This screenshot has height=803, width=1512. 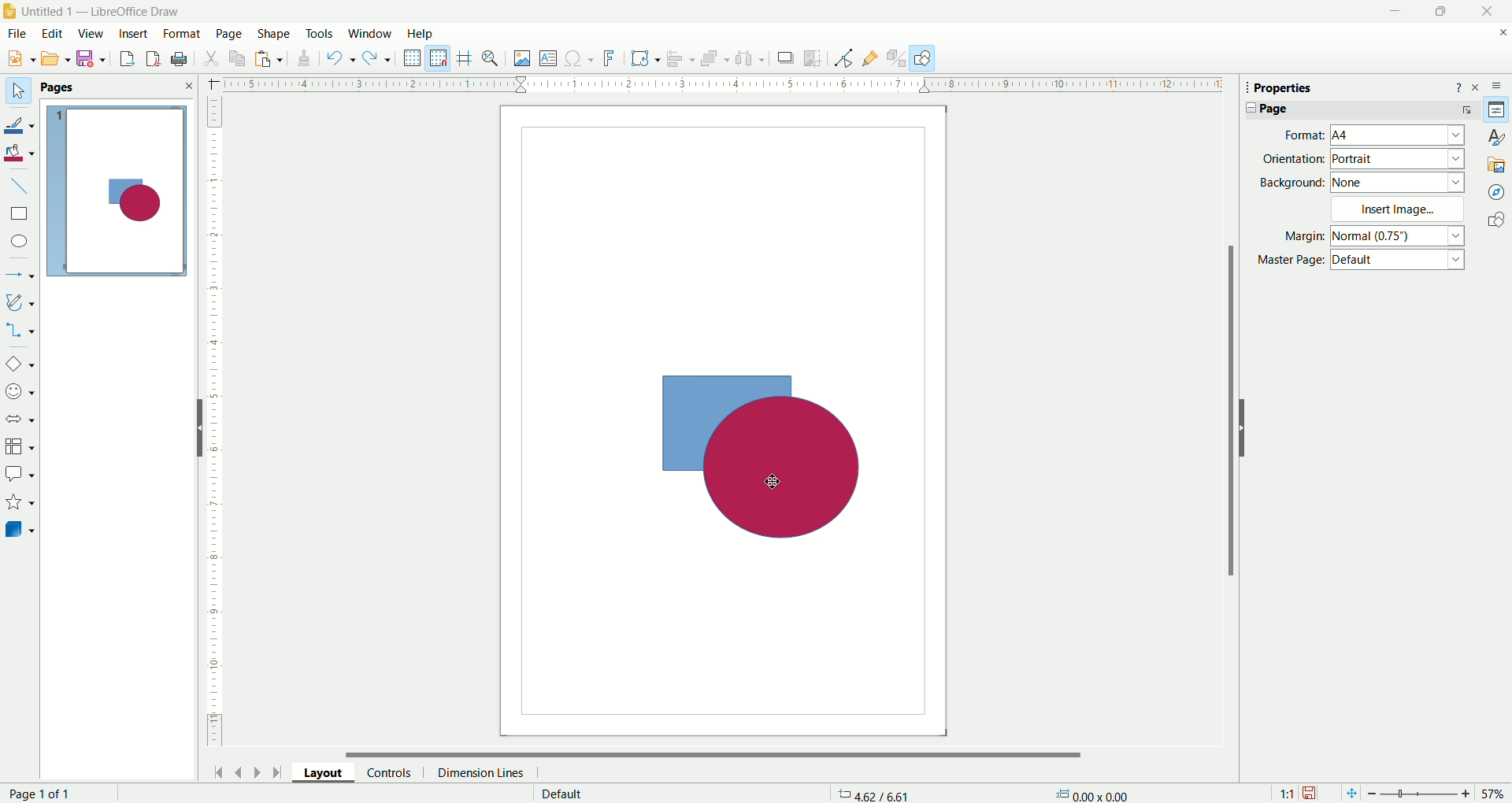 I want to click on align objects, so click(x=682, y=61).